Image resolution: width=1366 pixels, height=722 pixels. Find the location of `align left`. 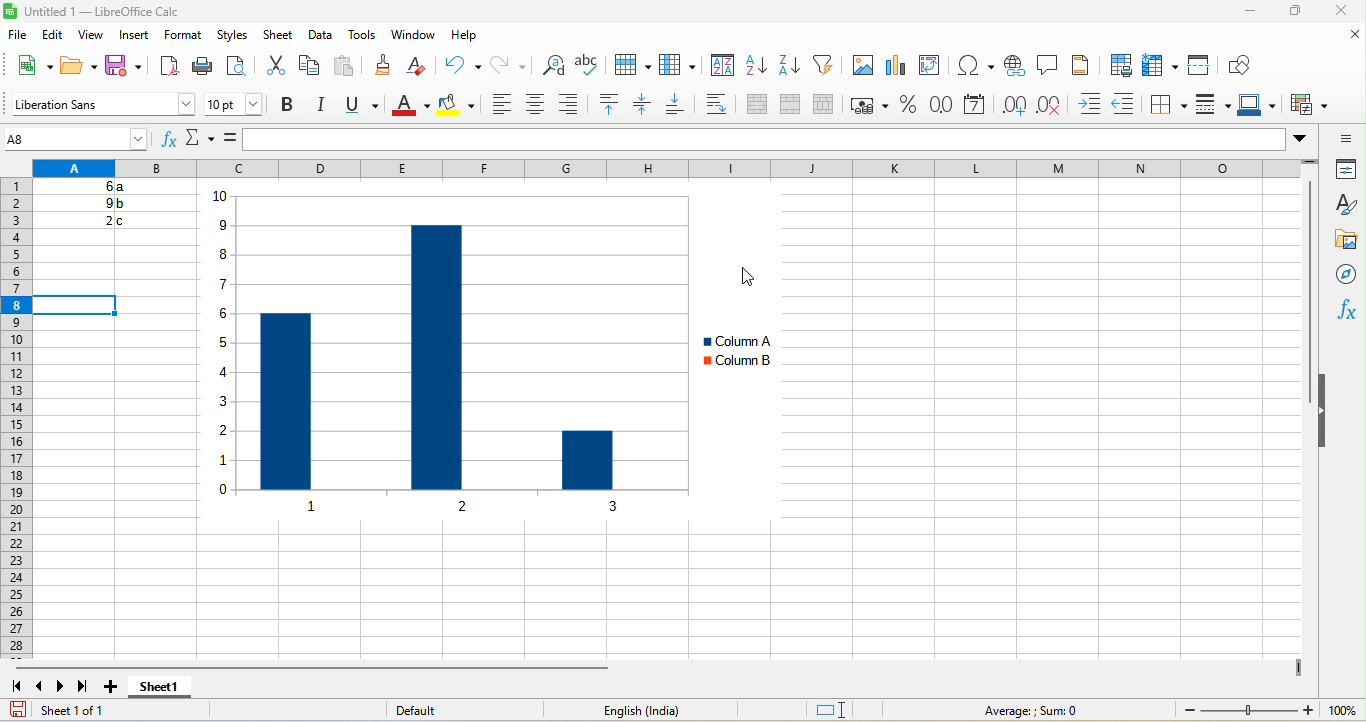

align left is located at coordinates (497, 107).